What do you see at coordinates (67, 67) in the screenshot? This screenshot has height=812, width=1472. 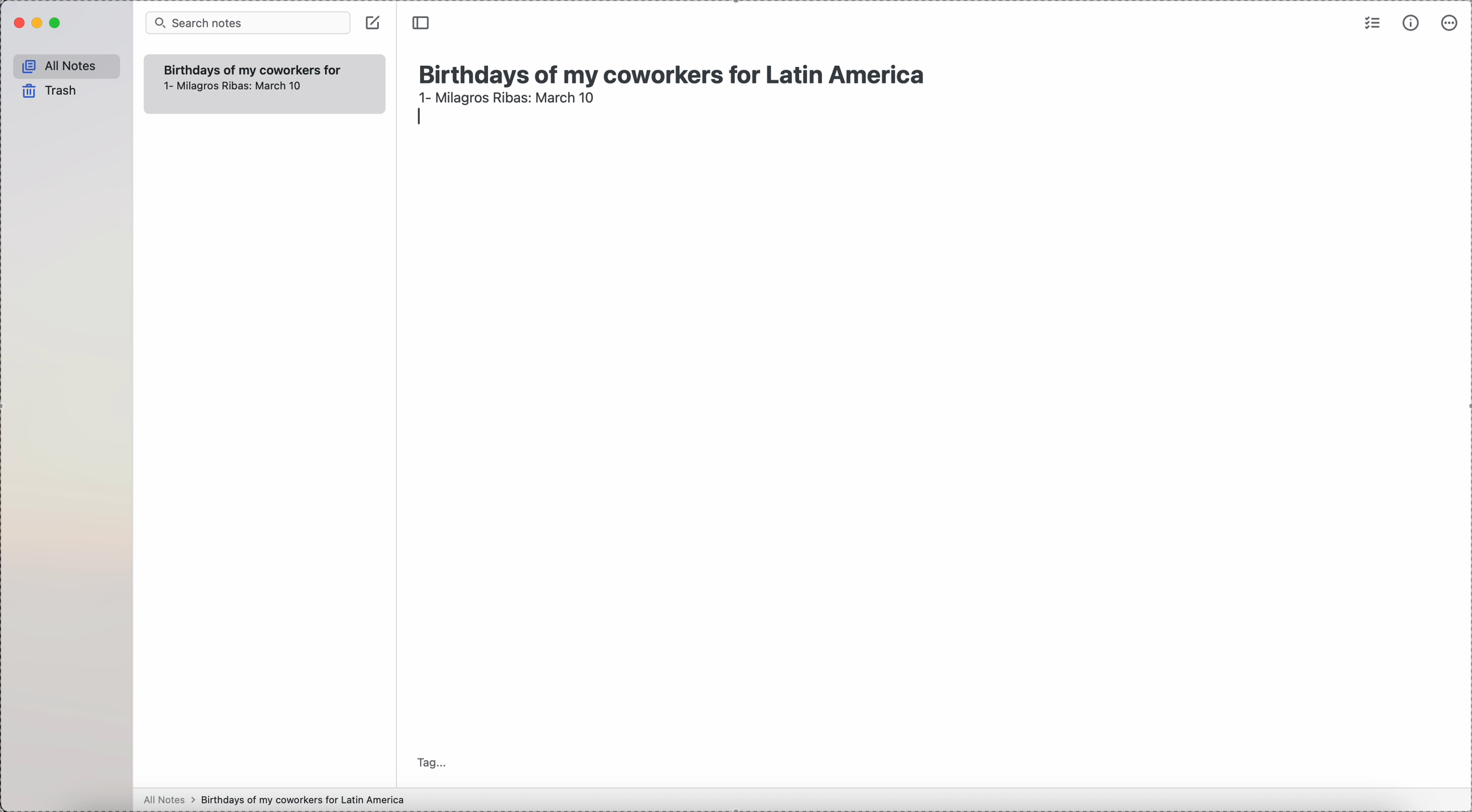 I see `all notes` at bounding box center [67, 67].